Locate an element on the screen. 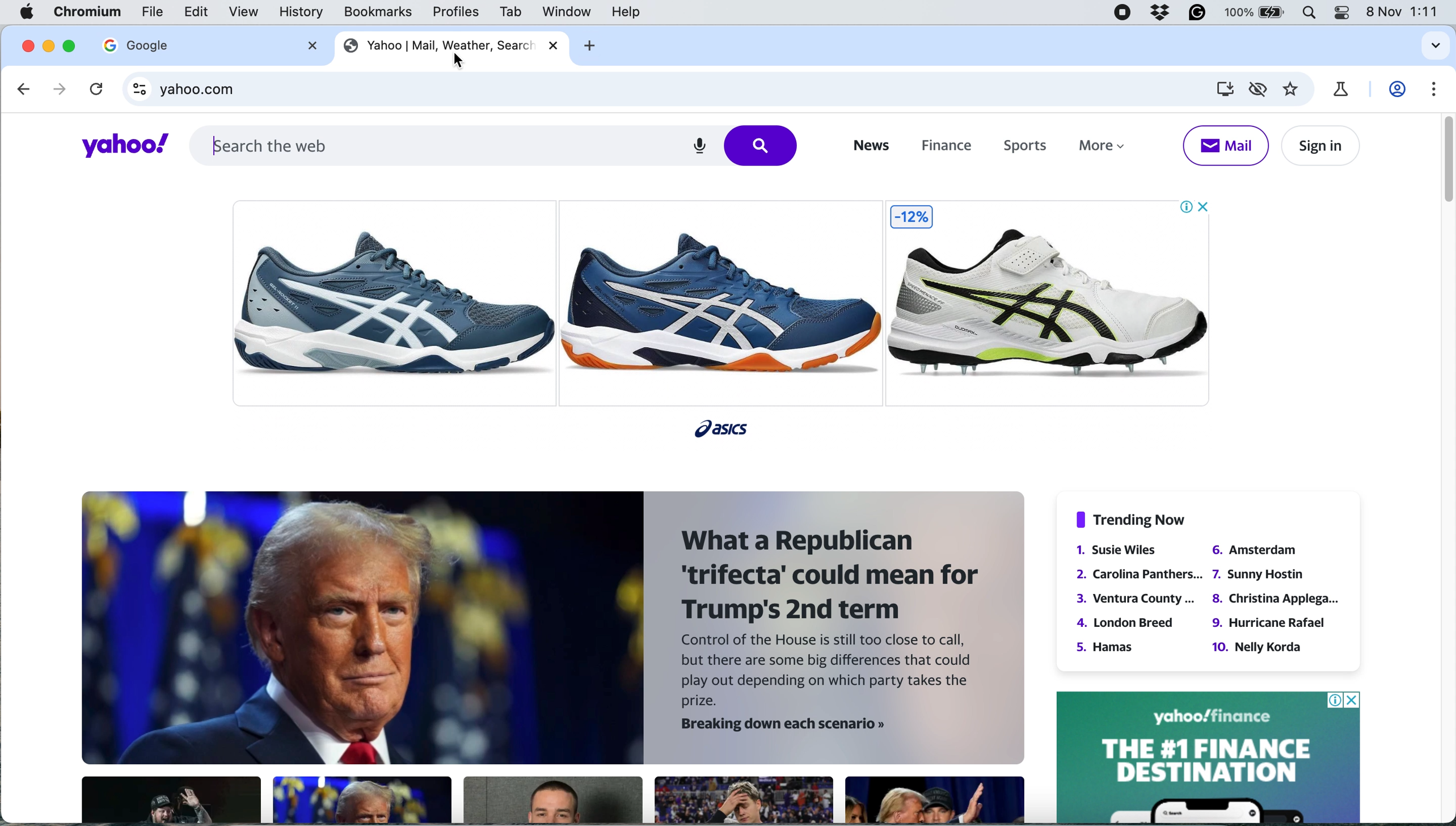  close is located at coordinates (28, 44).